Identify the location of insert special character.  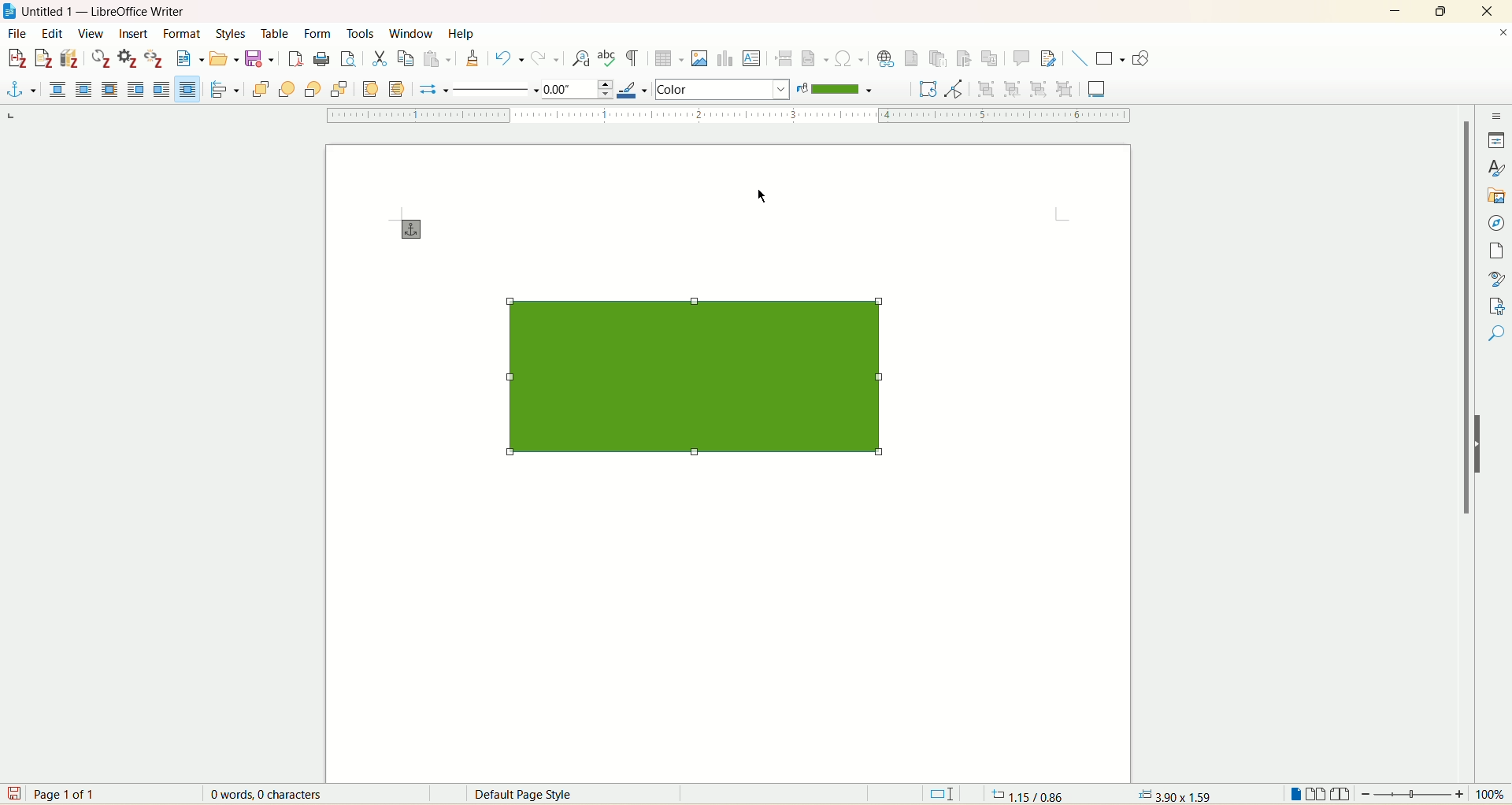
(850, 58).